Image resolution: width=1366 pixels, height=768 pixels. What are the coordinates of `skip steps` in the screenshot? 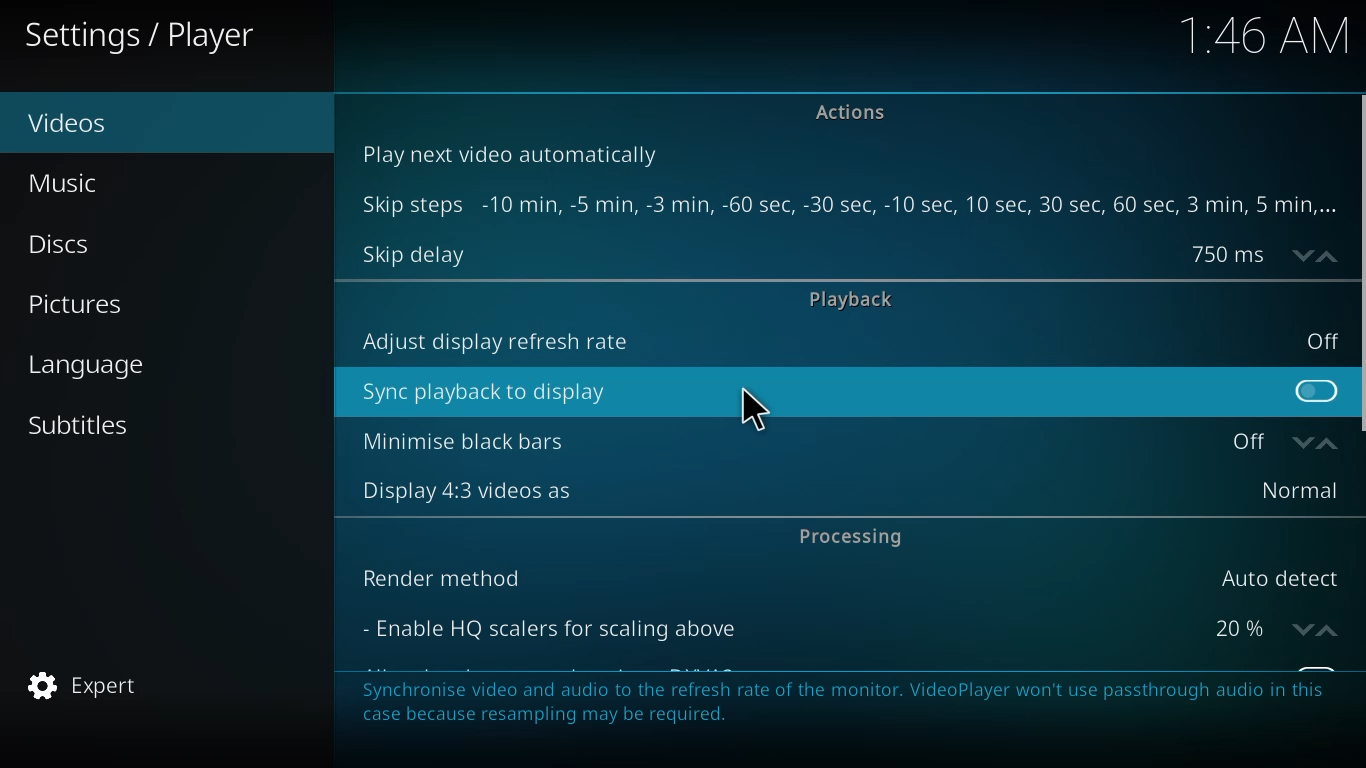 It's located at (407, 205).